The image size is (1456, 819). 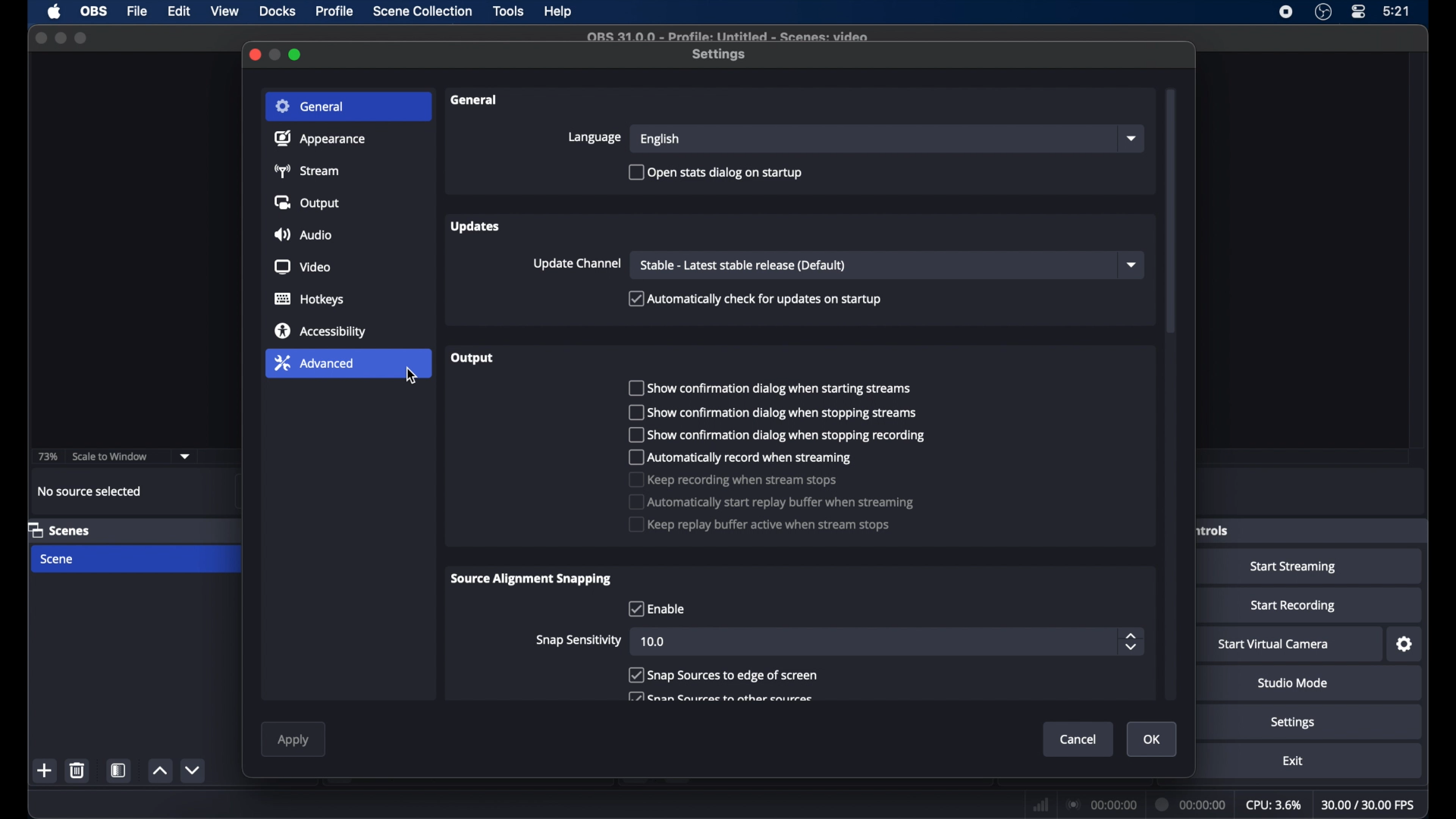 What do you see at coordinates (1292, 761) in the screenshot?
I see `exit` at bounding box center [1292, 761].